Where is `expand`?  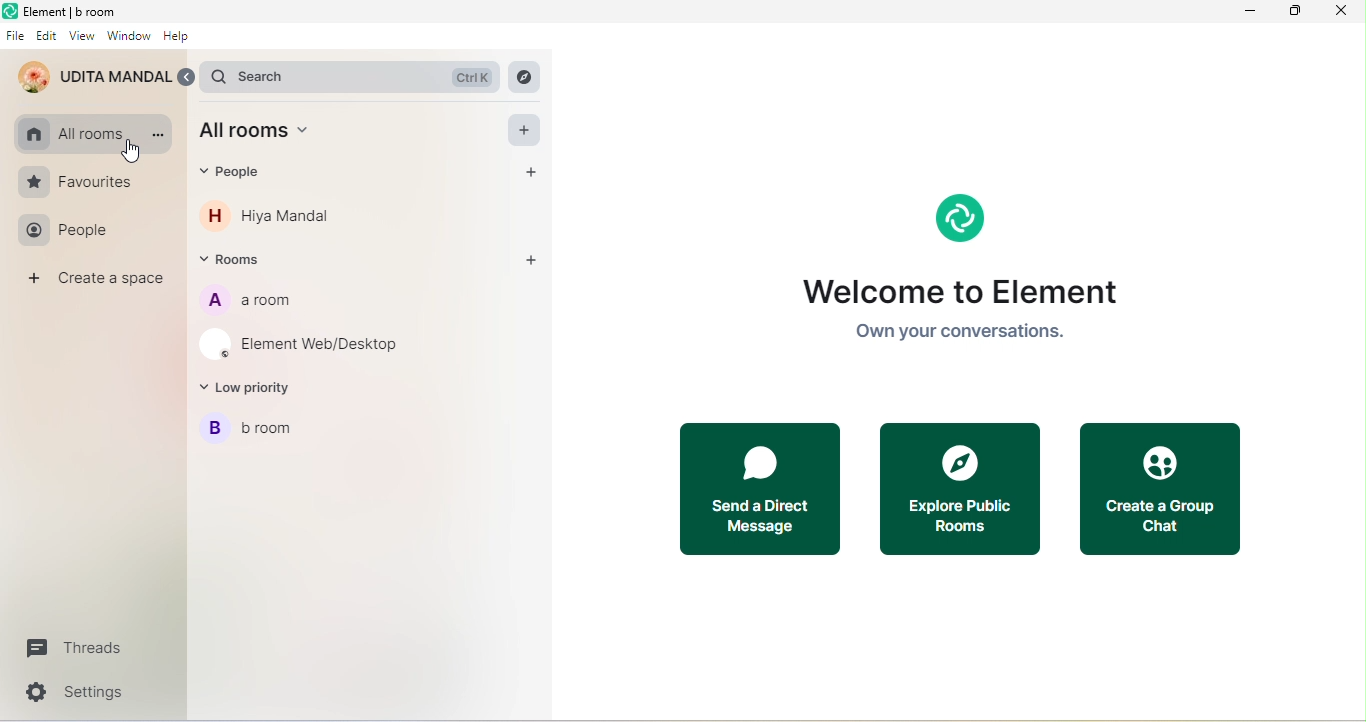
expand is located at coordinates (189, 78).